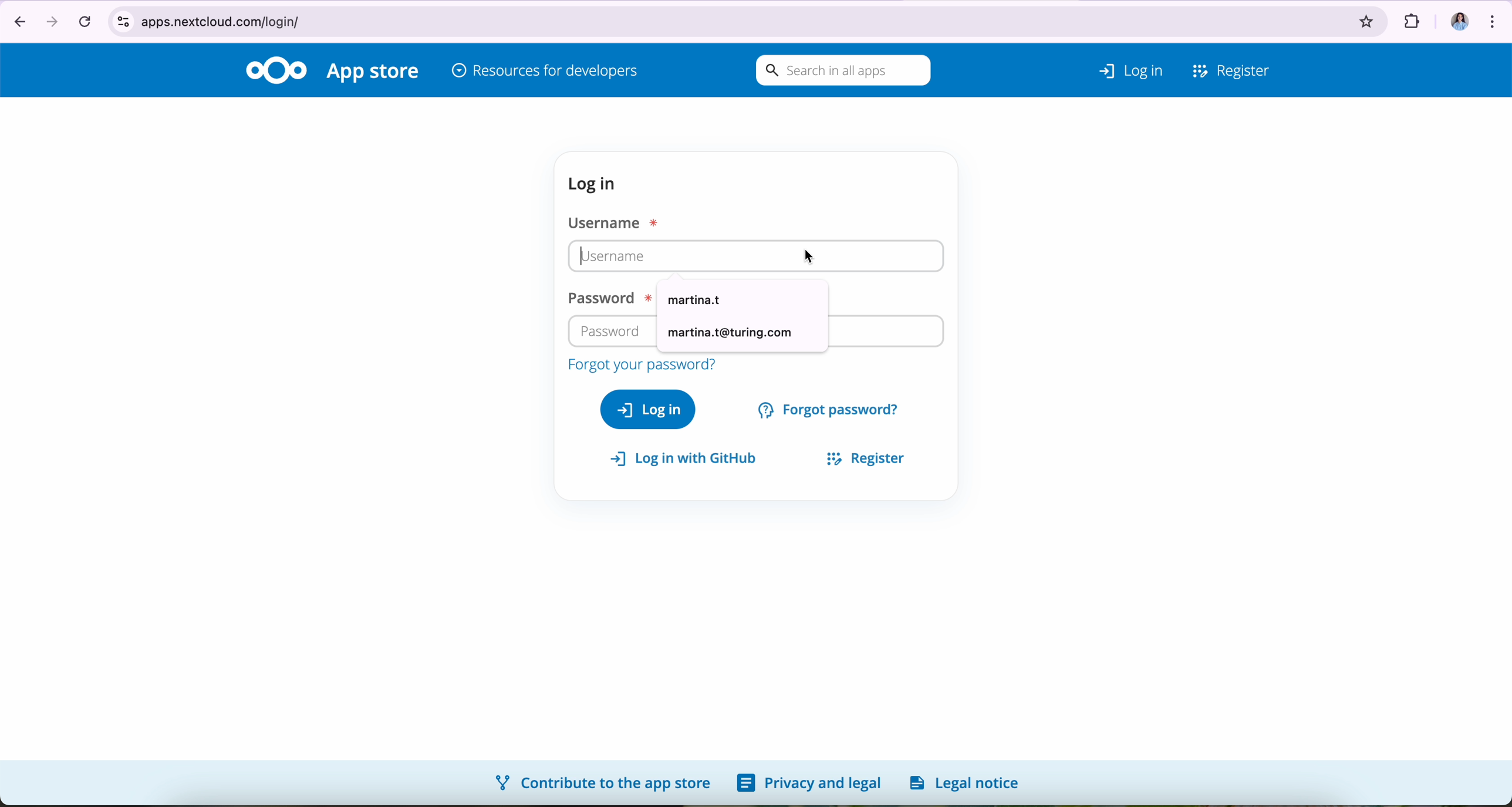  I want to click on favorites, so click(1367, 18).